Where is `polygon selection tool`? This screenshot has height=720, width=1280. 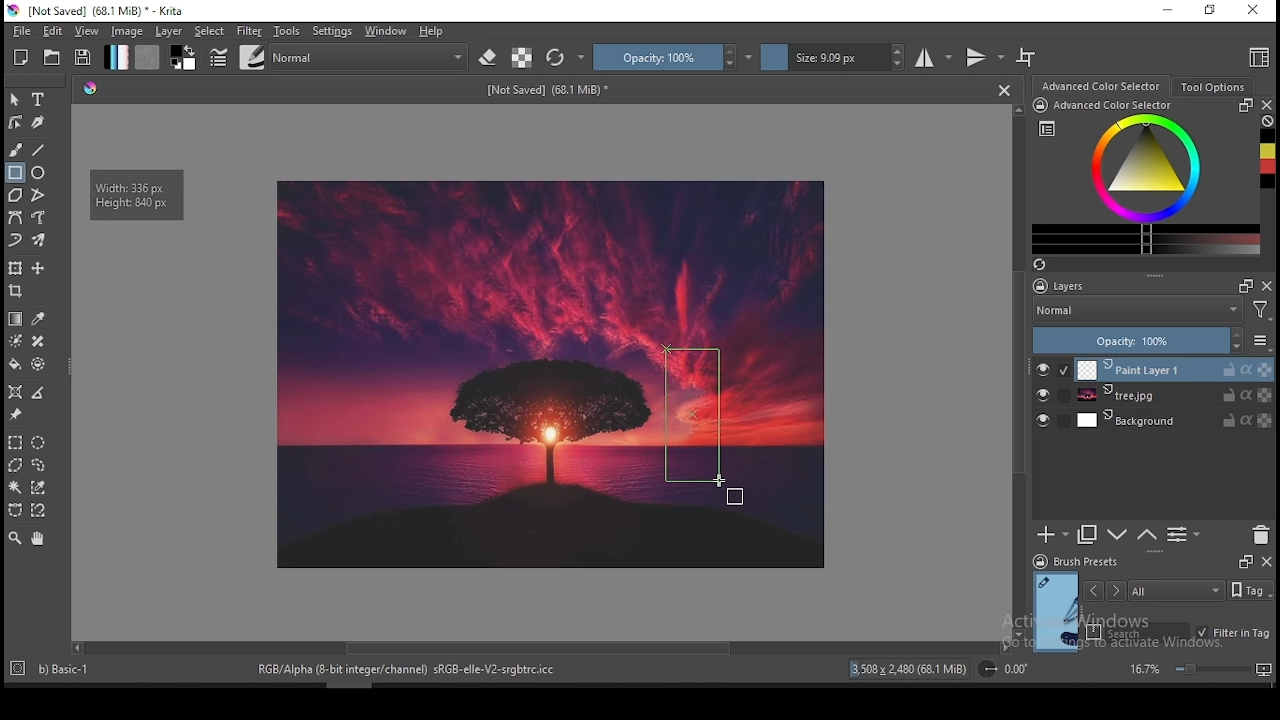
polygon selection tool is located at coordinates (14, 442).